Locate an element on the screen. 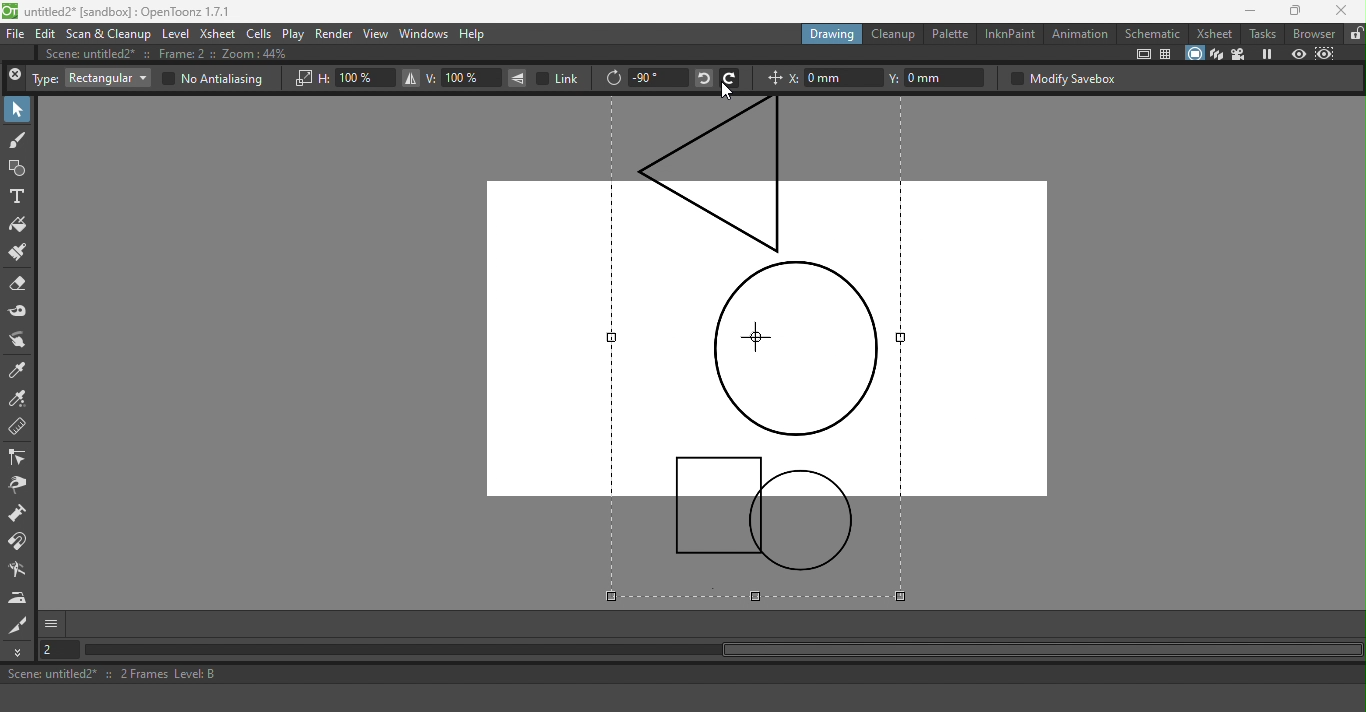 This screenshot has width=1366, height=712. Help is located at coordinates (481, 33).